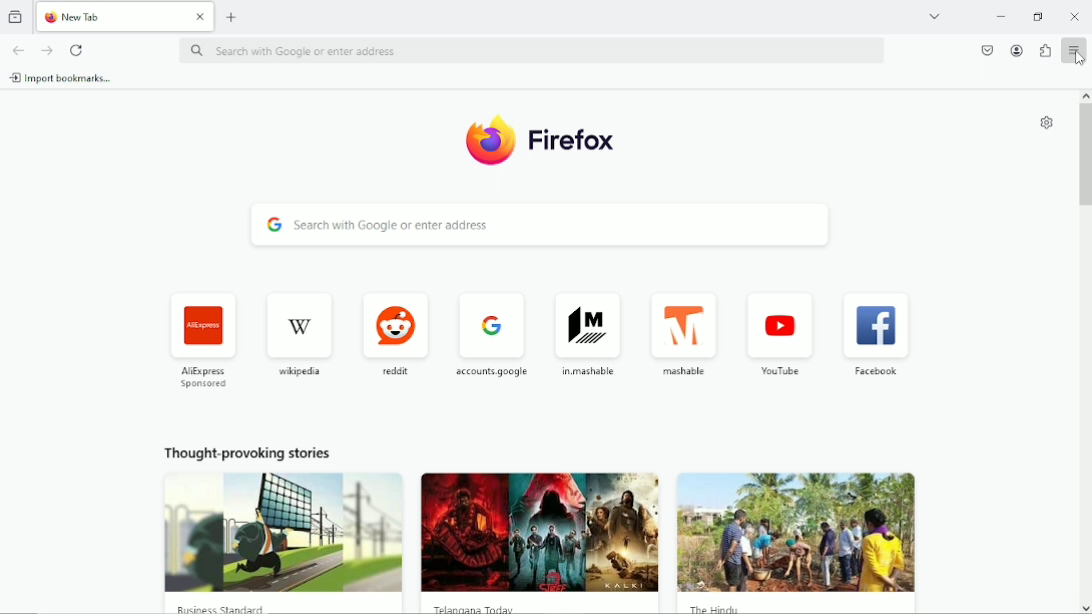  Describe the element at coordinates (1074, 51) in the screenshot. I see `open applications menu` at that location.